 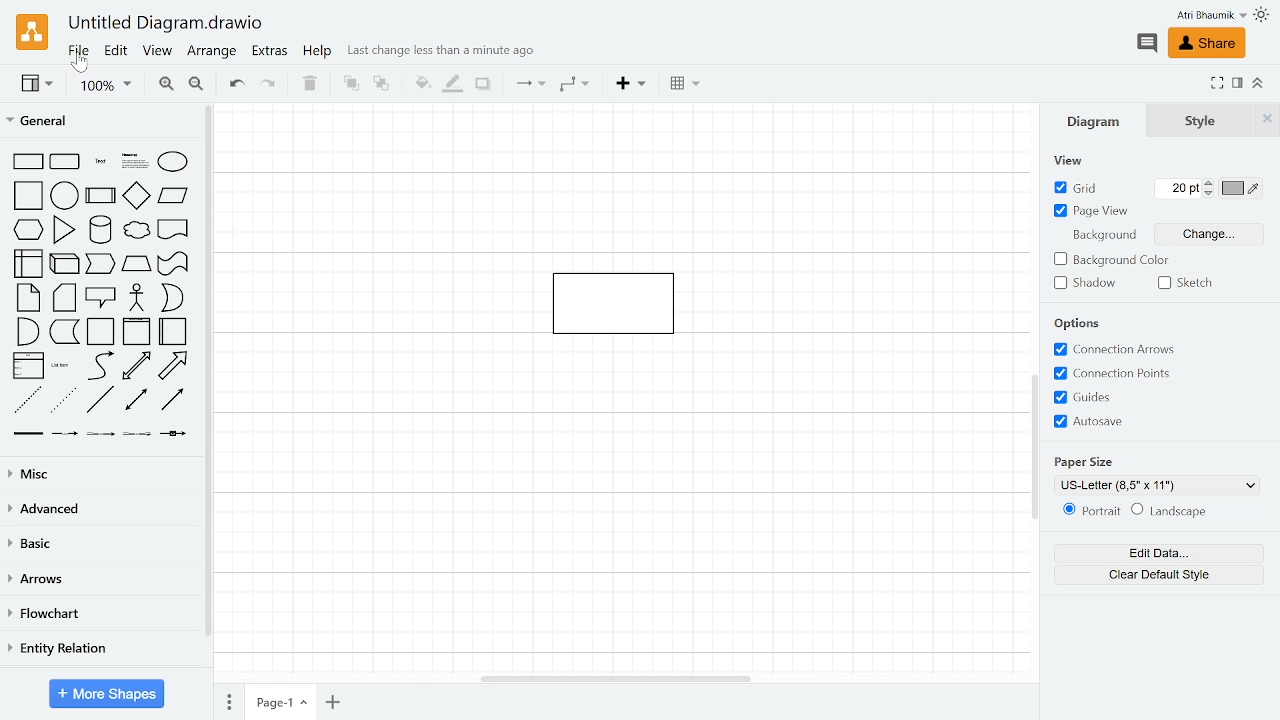 I want to click on Potrait, so click(x=1090, y=510).